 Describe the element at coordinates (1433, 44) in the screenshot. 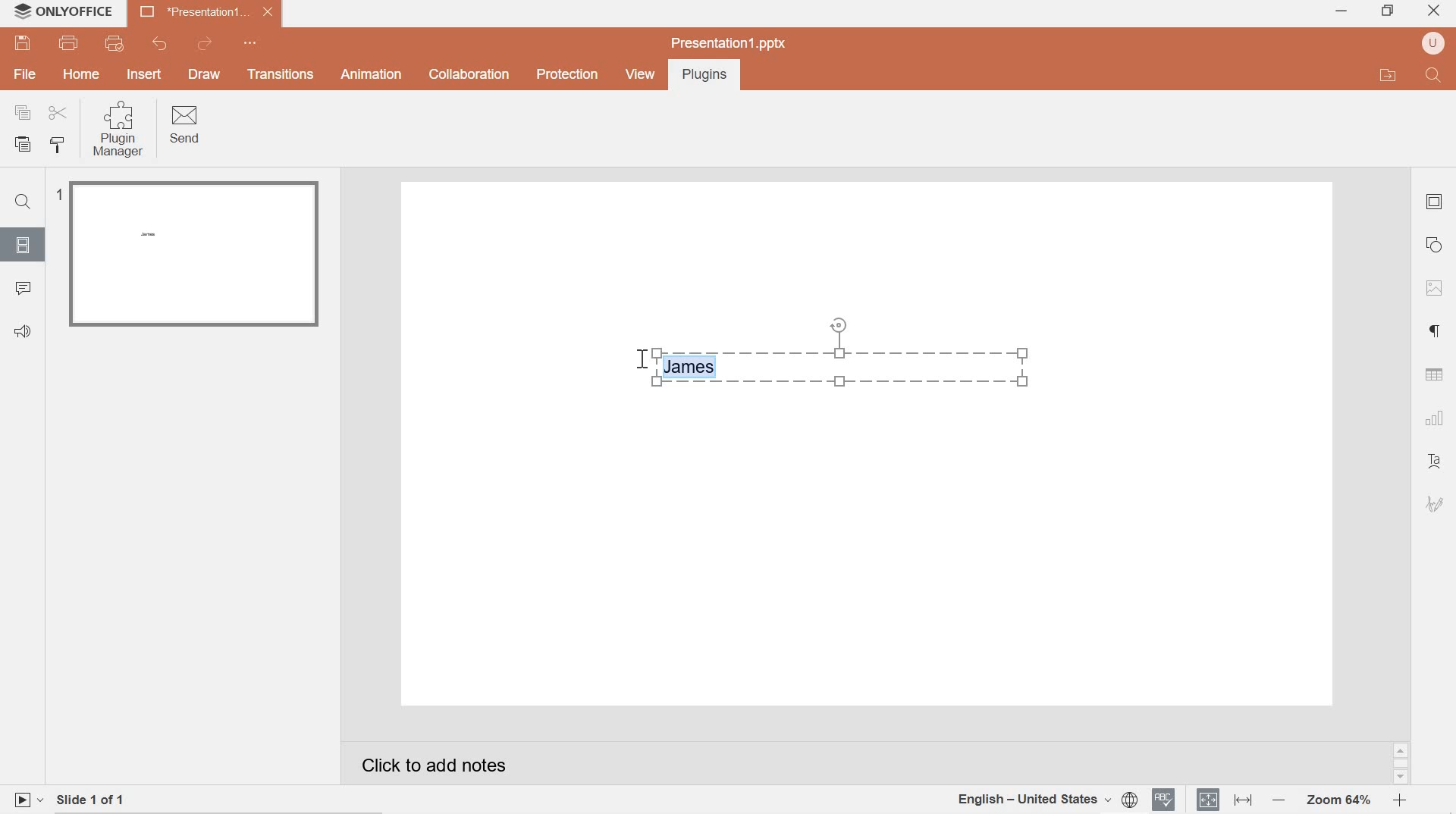

I see `user` at that location.